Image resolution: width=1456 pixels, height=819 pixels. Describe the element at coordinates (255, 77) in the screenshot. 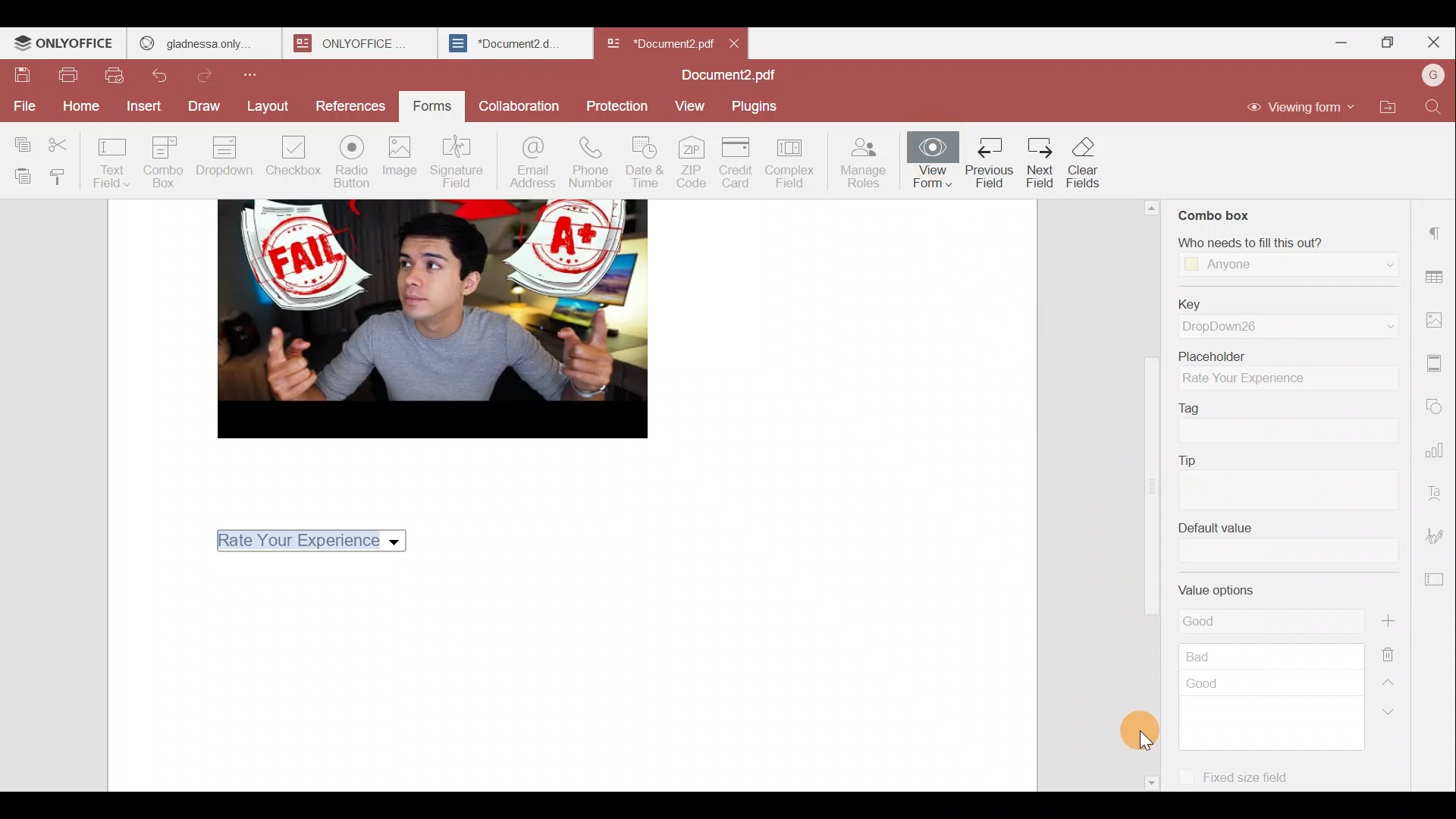

I see `Customize quick access toolbar` at that location.